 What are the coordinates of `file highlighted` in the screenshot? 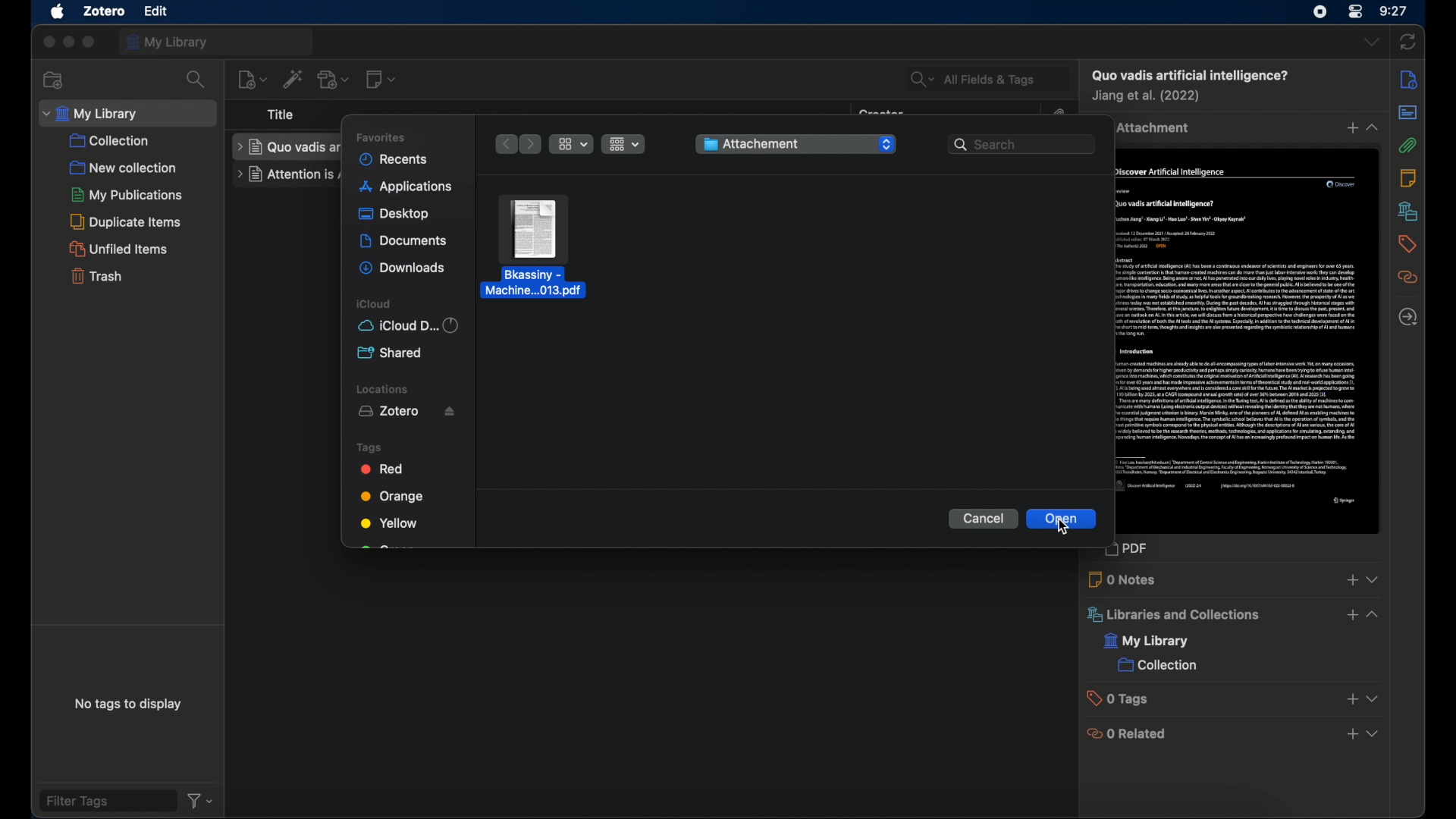 It's located at (536, 248).